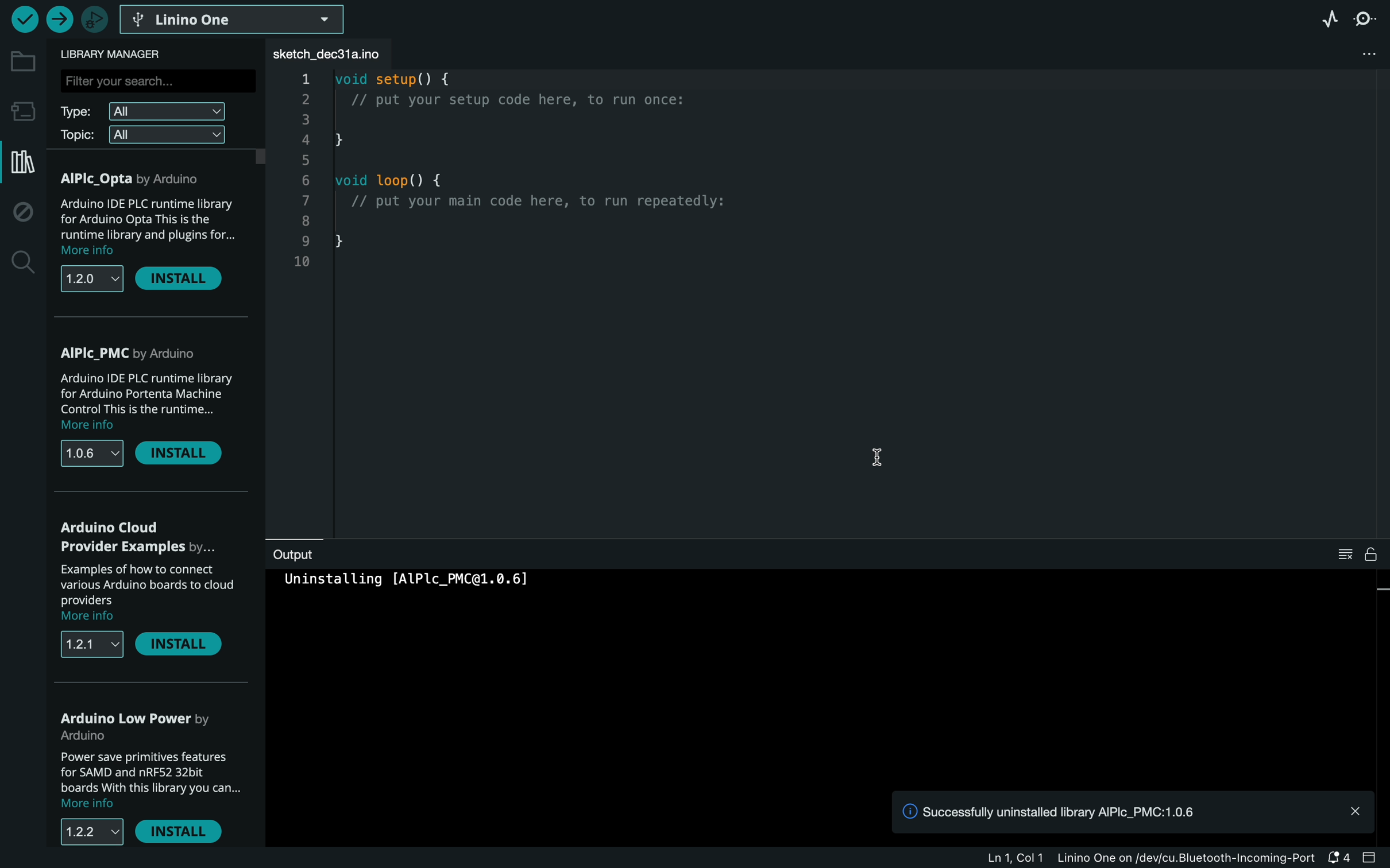 The height and width of the screenshot is (868, 1390). I want to click on cursor, so click(874, 460).